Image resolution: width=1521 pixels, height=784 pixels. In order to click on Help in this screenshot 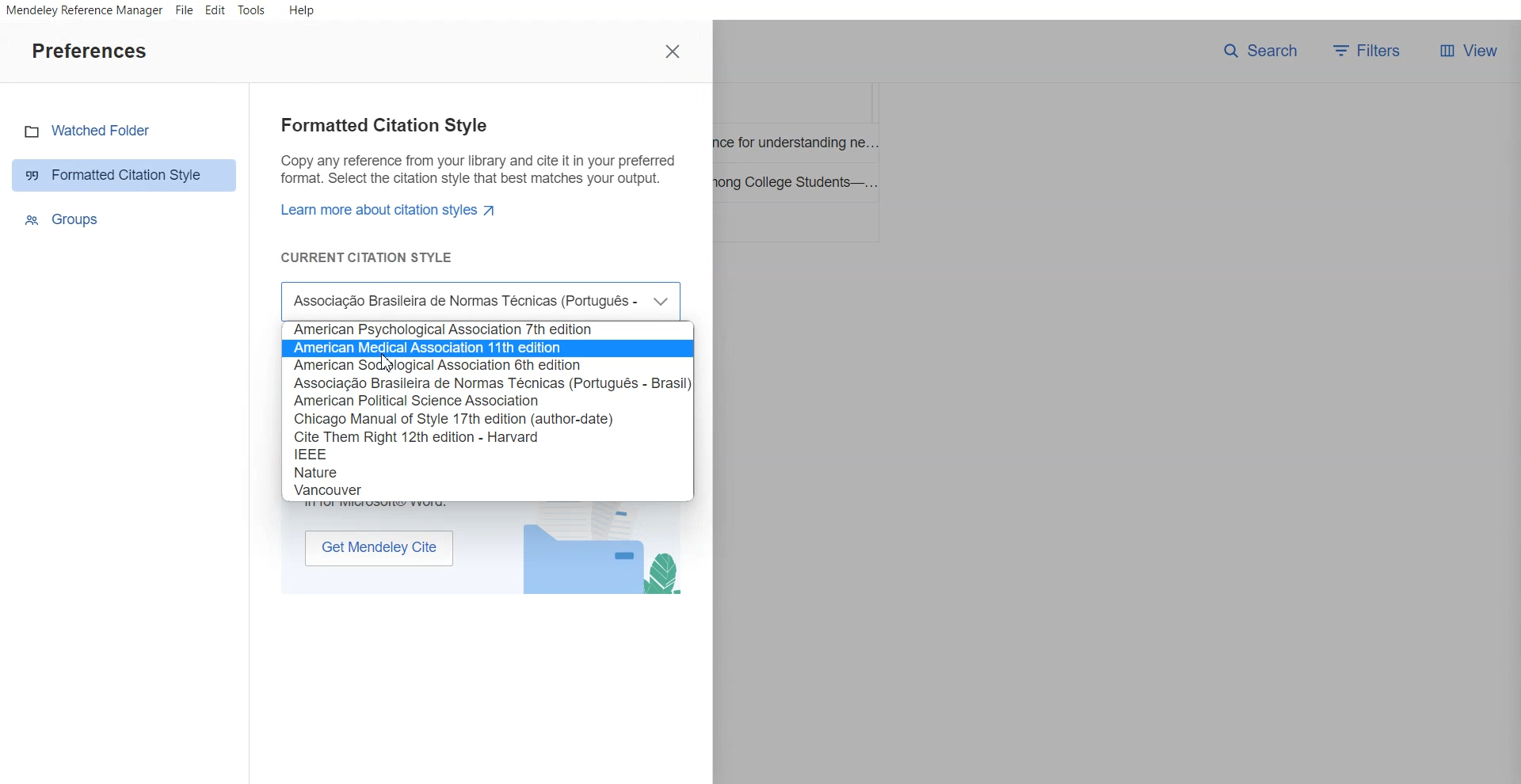, I will do `click(300, 10)`.